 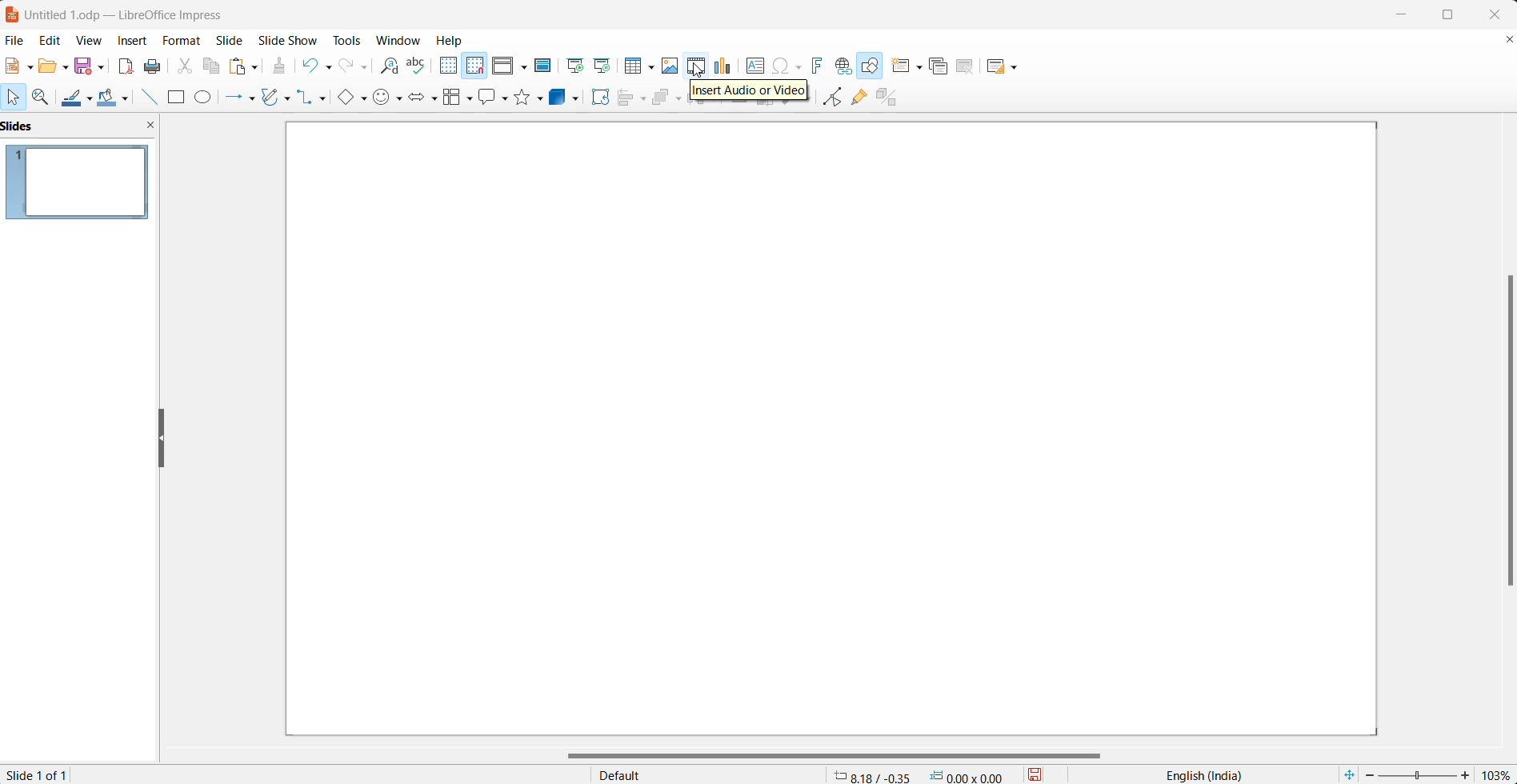 What do you see at coordinates (969, 66) in the screenshot?
I see `delete slide` at bounding box center [969, 66].